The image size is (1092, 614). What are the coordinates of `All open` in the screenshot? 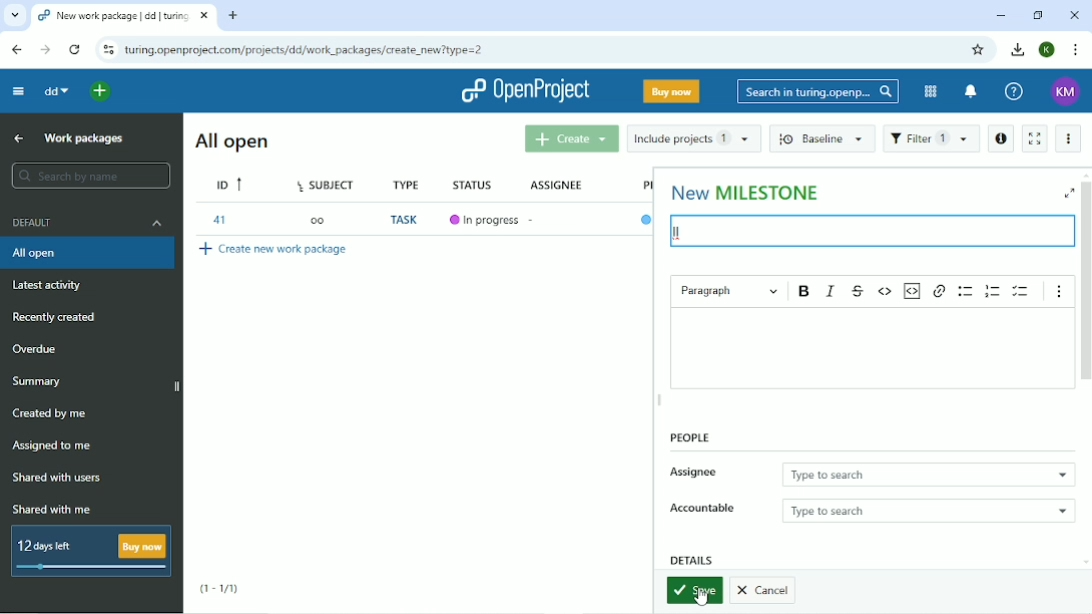 It's located at (90, 254).